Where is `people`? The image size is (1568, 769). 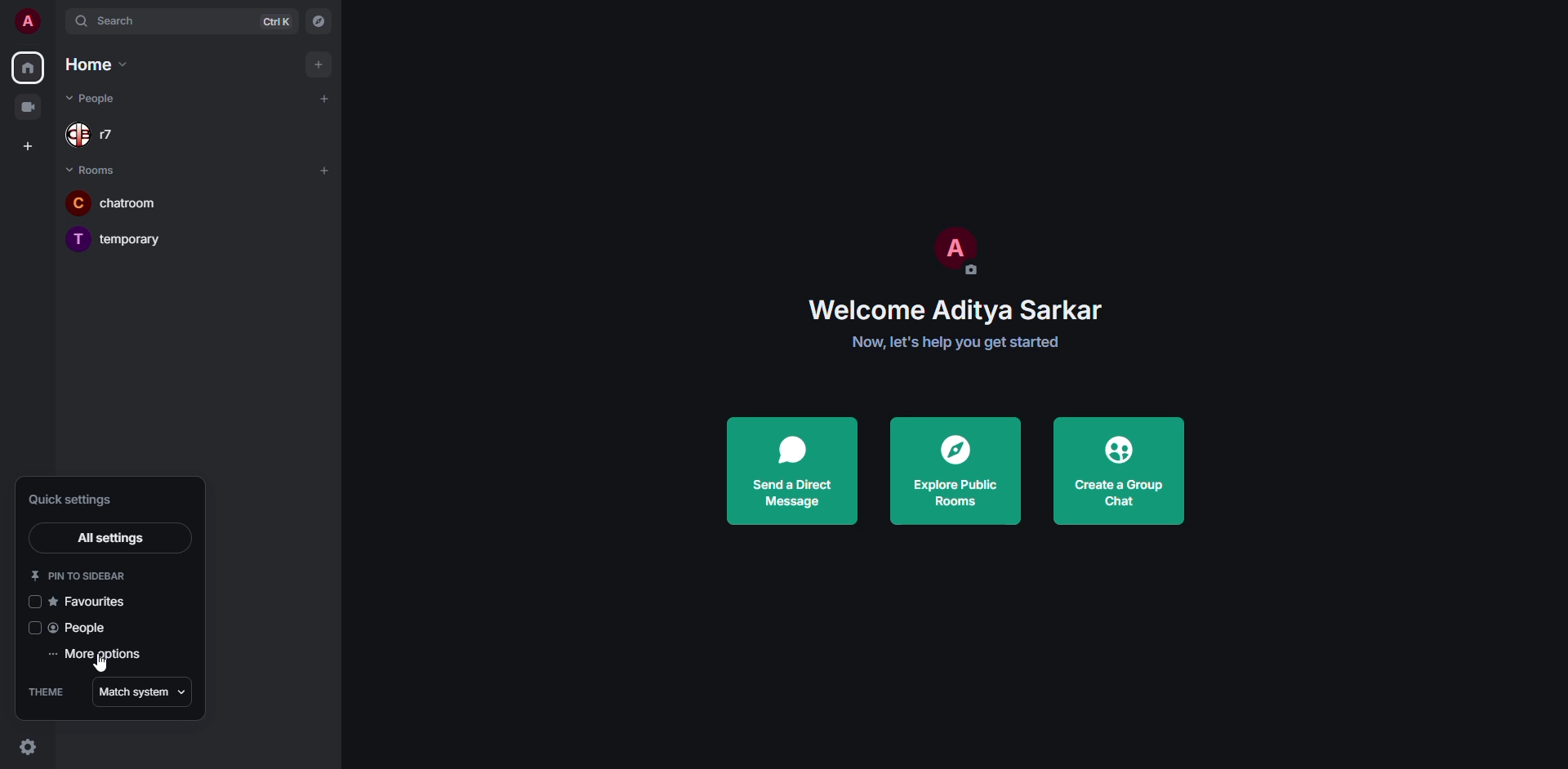
people is located at coordinates (81, 629).